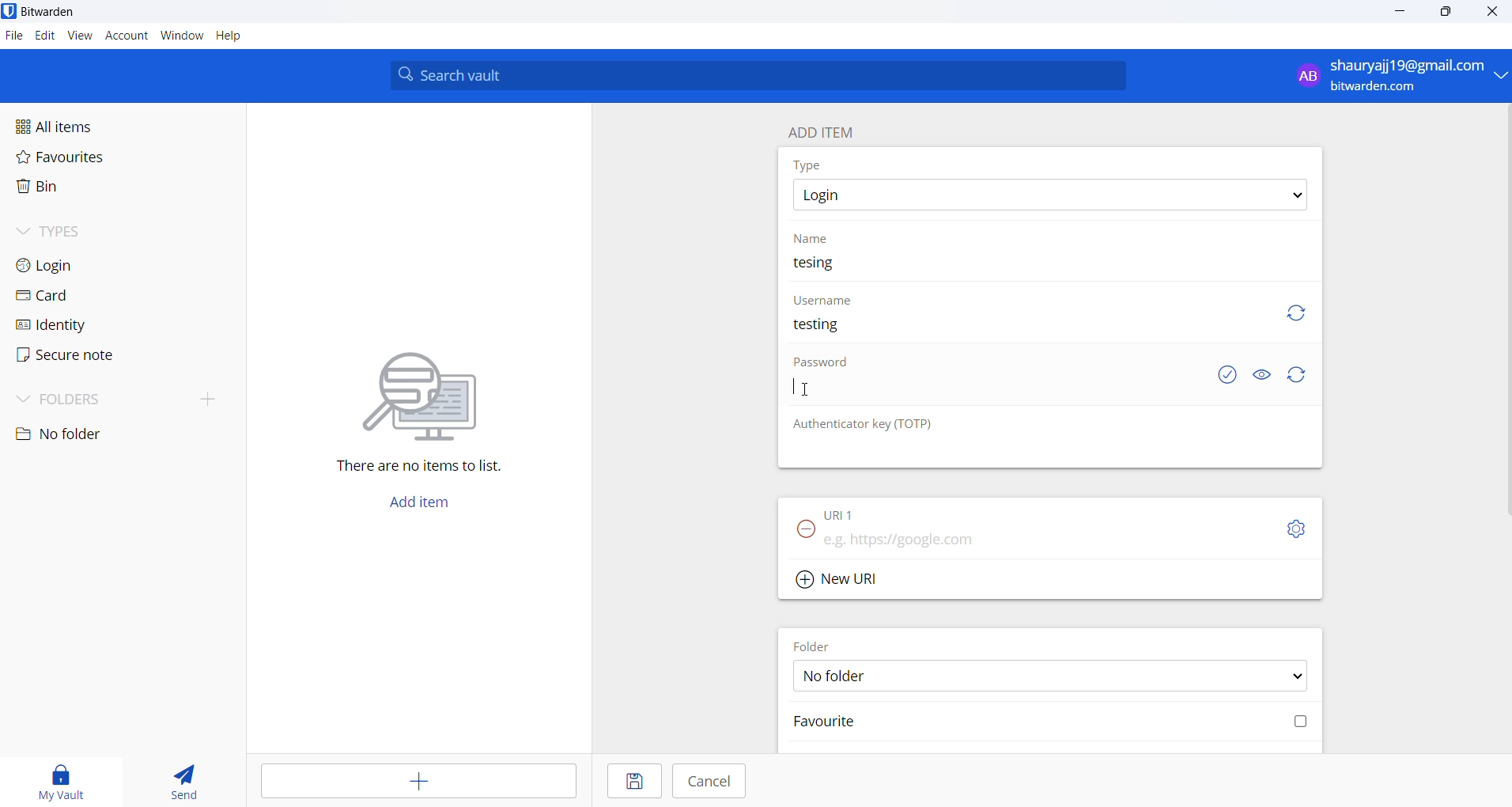  I want to click on my vault, so click(64, 779).